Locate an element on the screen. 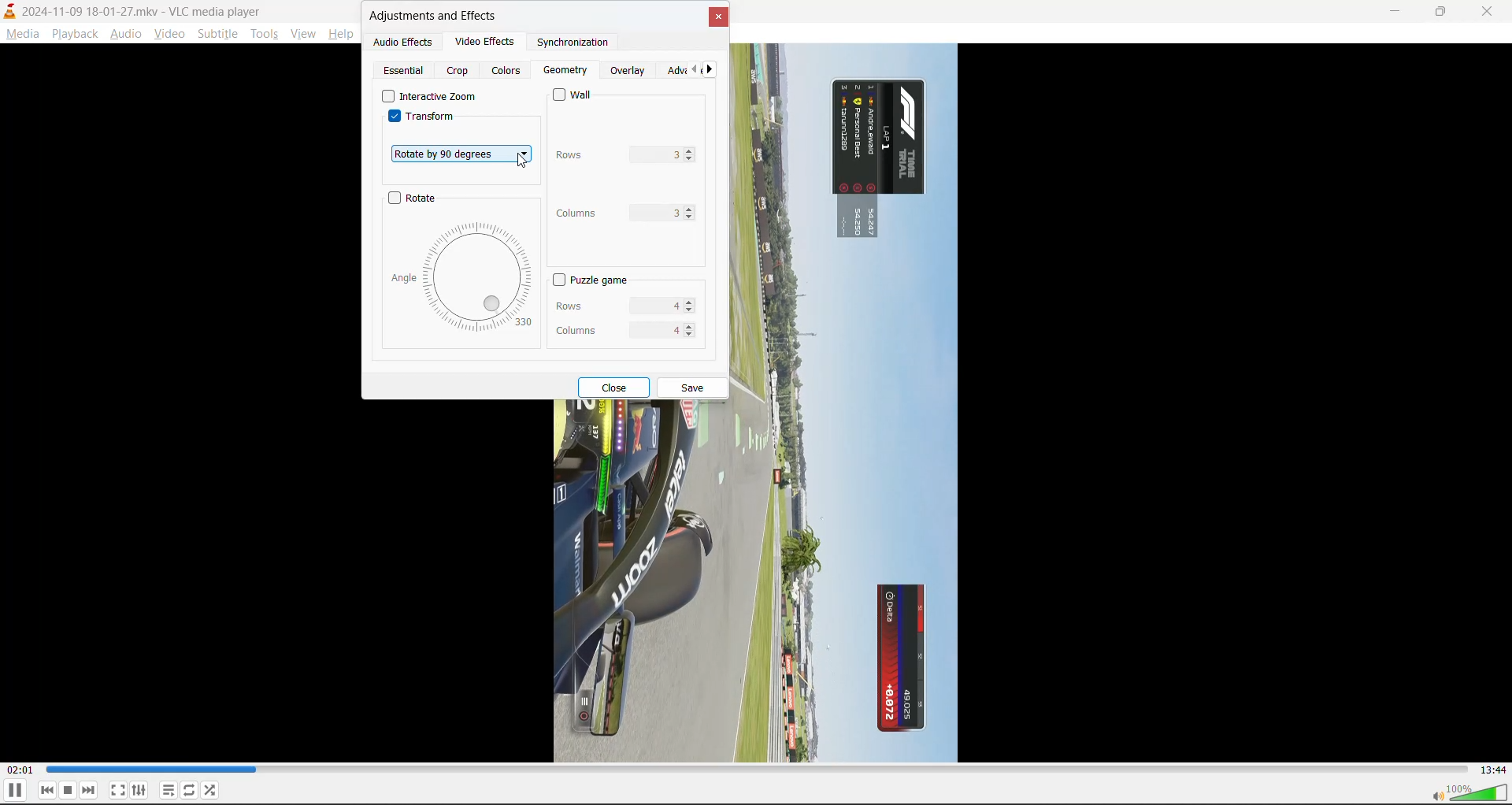  pervious is located at coordinates (698, 72).